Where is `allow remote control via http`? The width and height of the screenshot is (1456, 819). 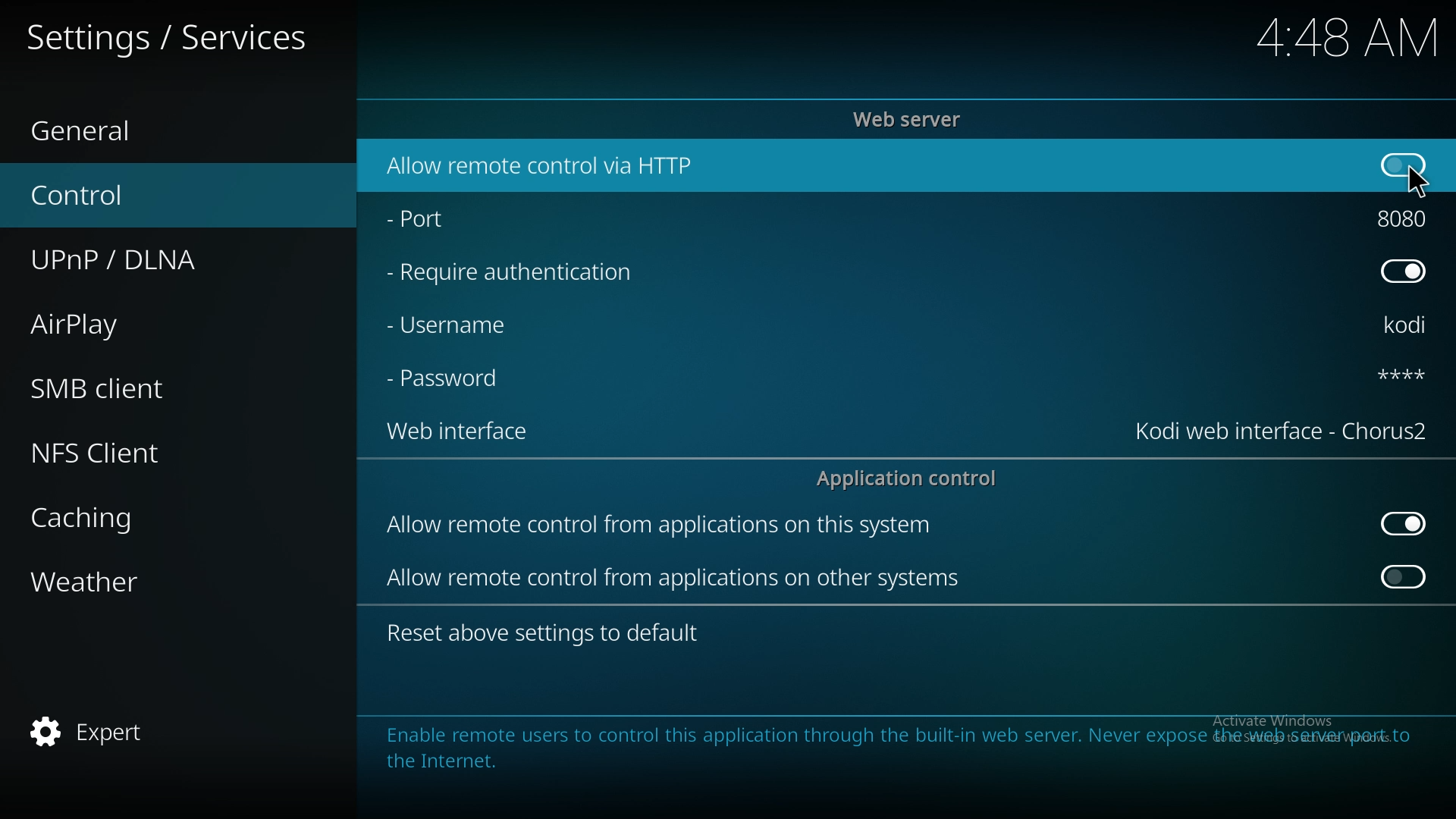 allow remote control via http is located at coordinates (579, 165).